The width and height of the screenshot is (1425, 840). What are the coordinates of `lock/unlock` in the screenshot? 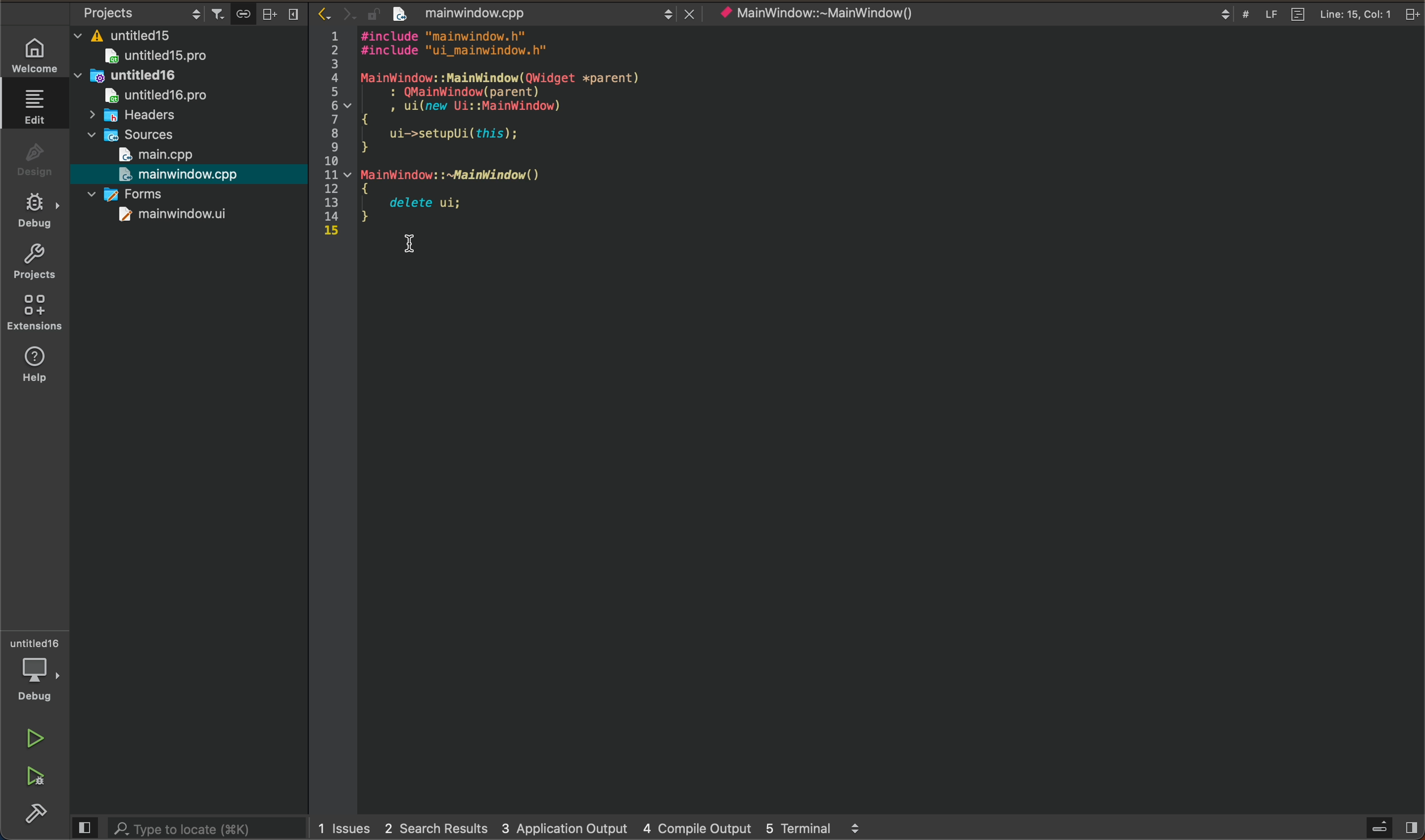 It's located at (374, 14).